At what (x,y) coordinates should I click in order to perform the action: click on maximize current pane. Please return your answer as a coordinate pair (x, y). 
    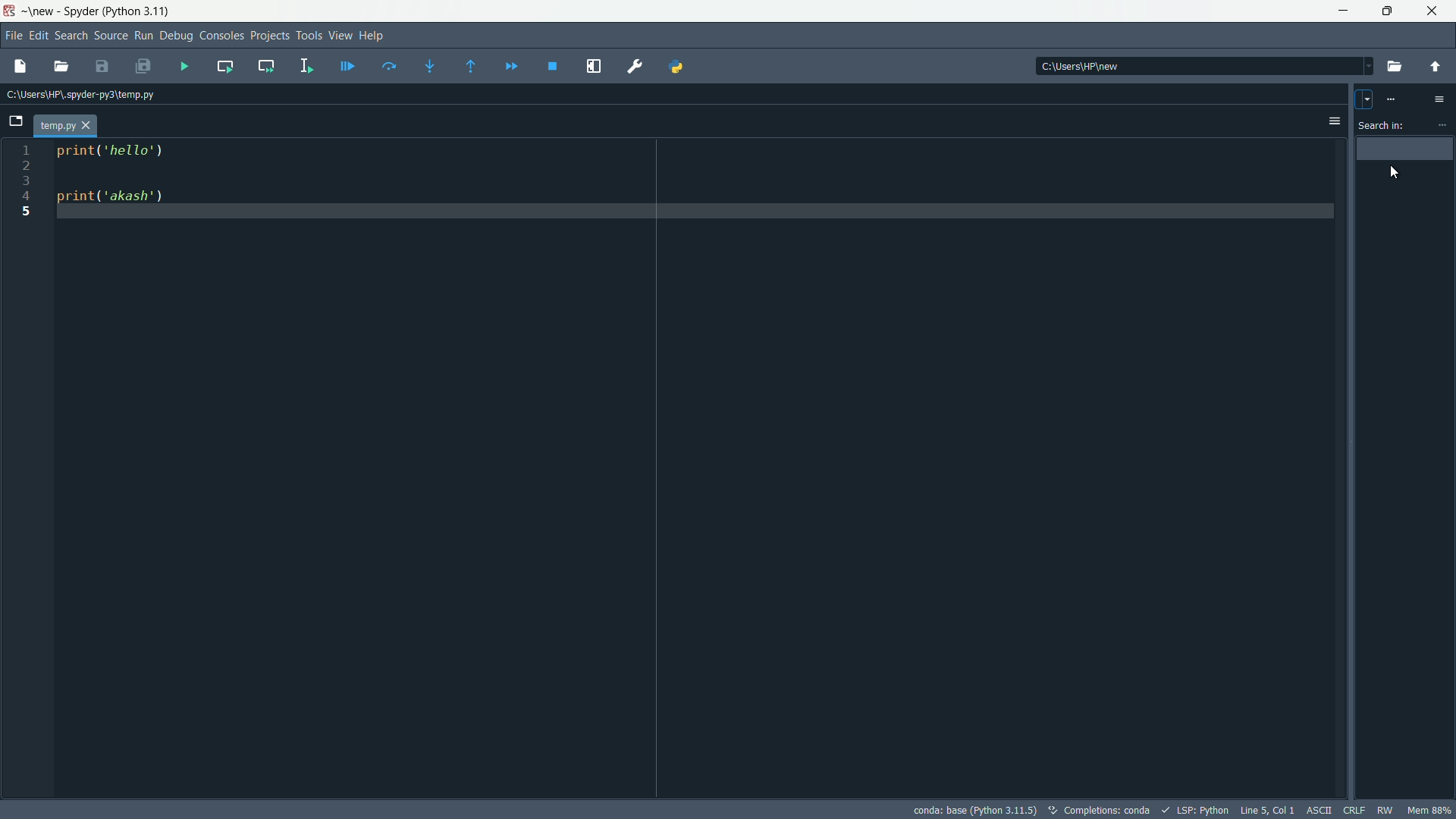
    Looking at the image, I should click on (592, 65).